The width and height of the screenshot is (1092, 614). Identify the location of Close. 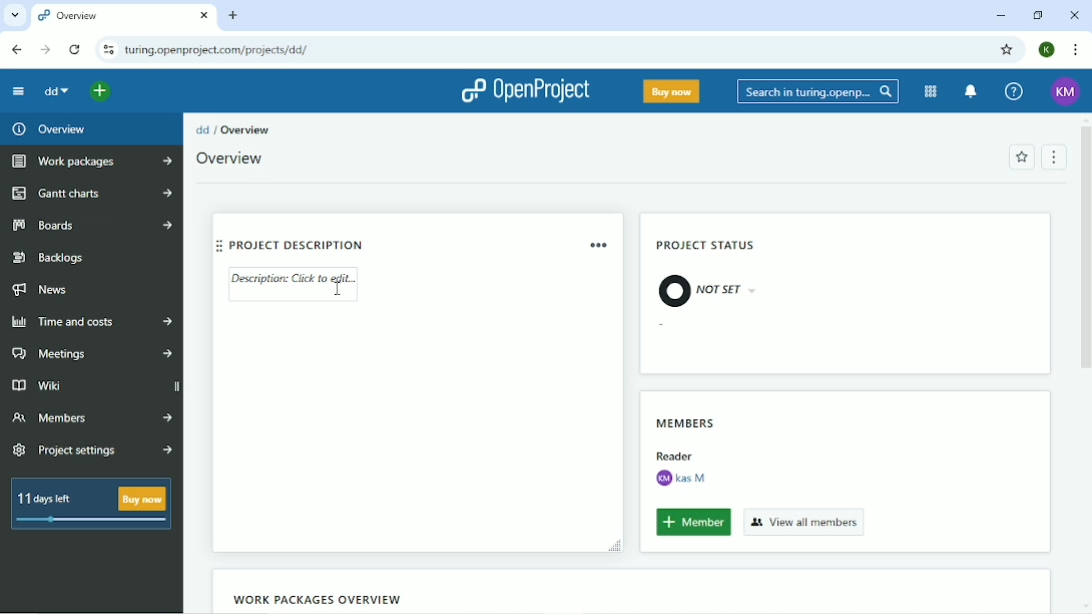
(1075, 15).